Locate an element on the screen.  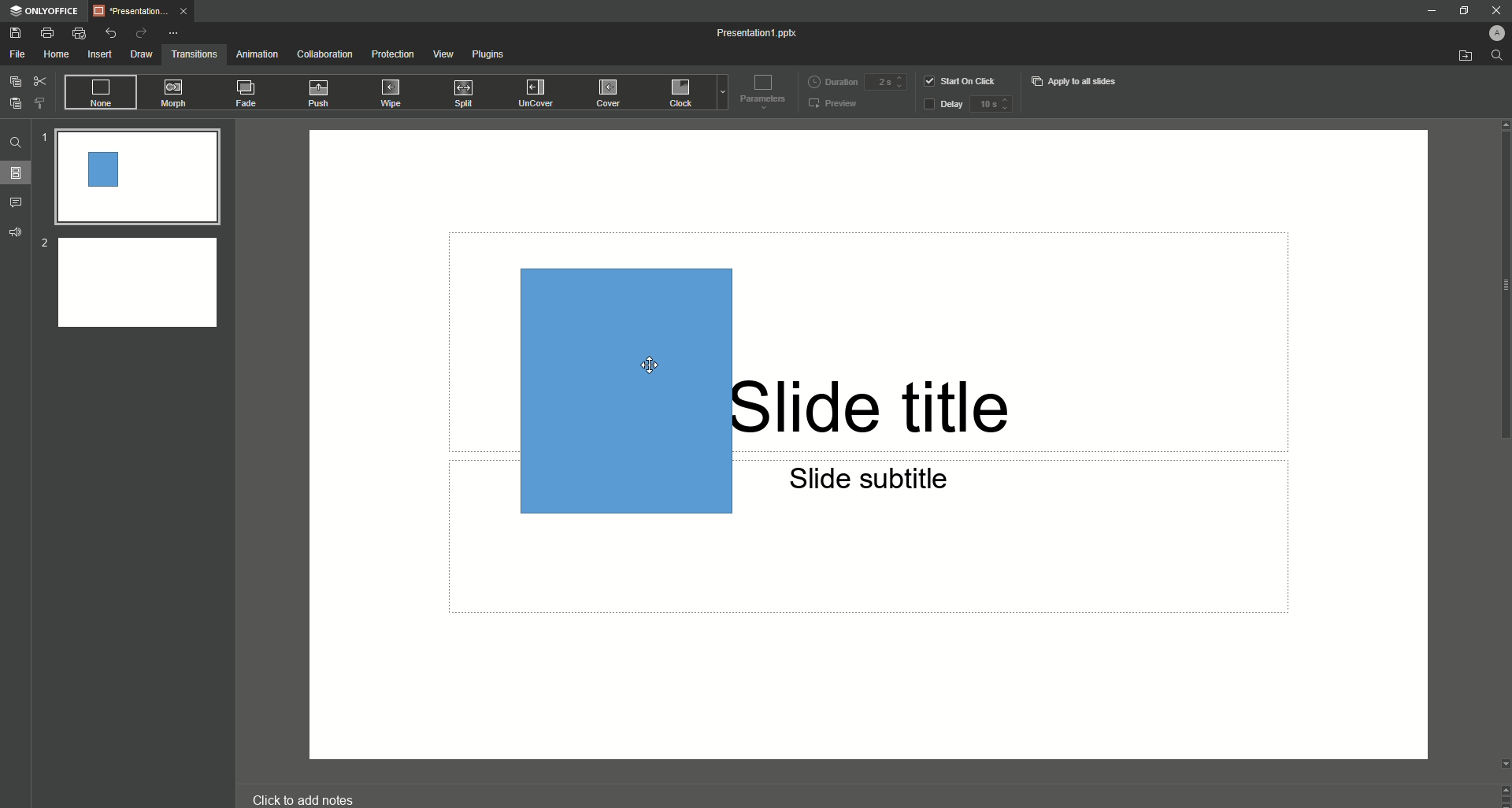
Morph is located at coordinates (179, 94).